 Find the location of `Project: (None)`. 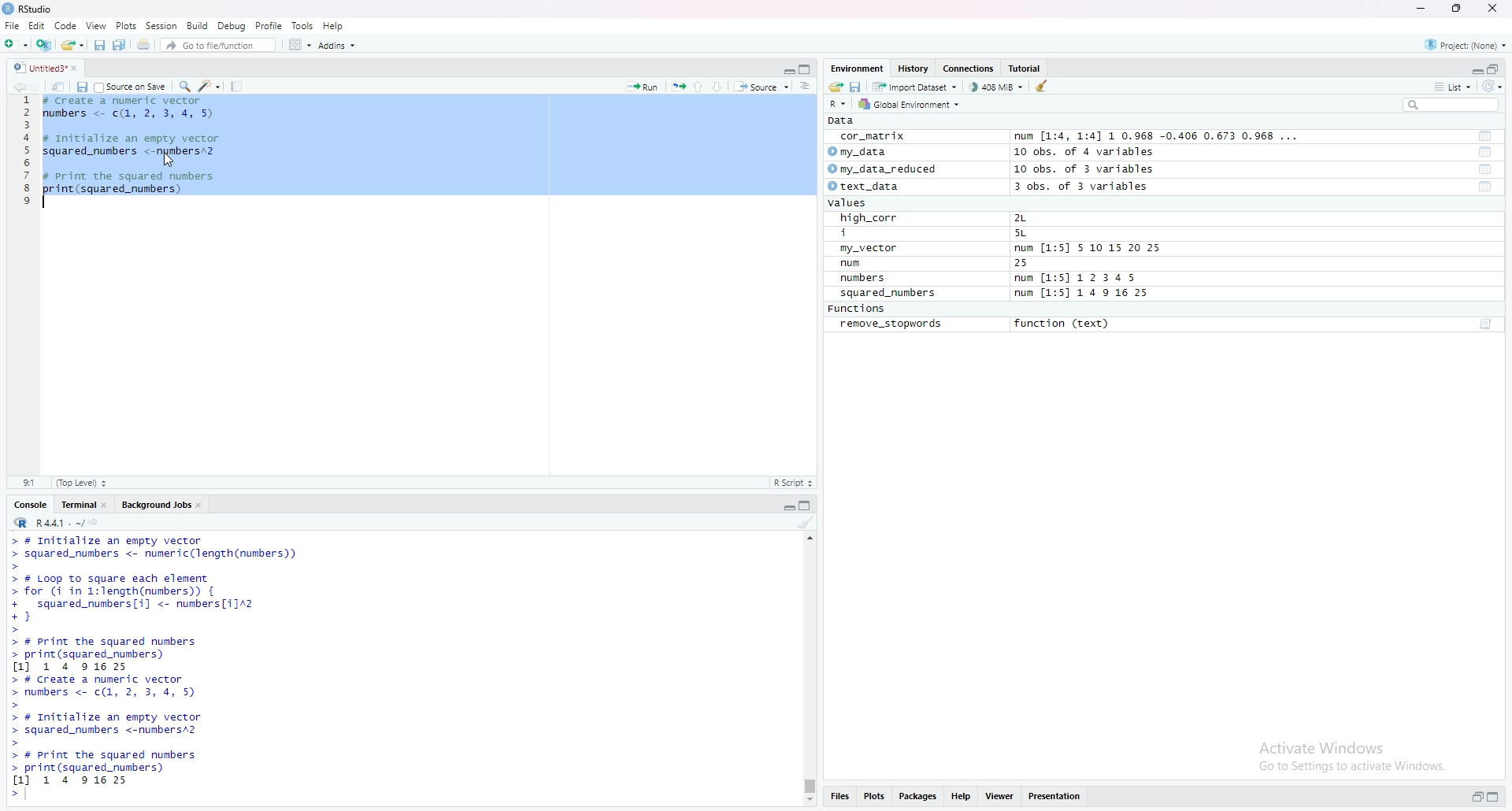

Project: (None) is located at coordinates (1467, 43).